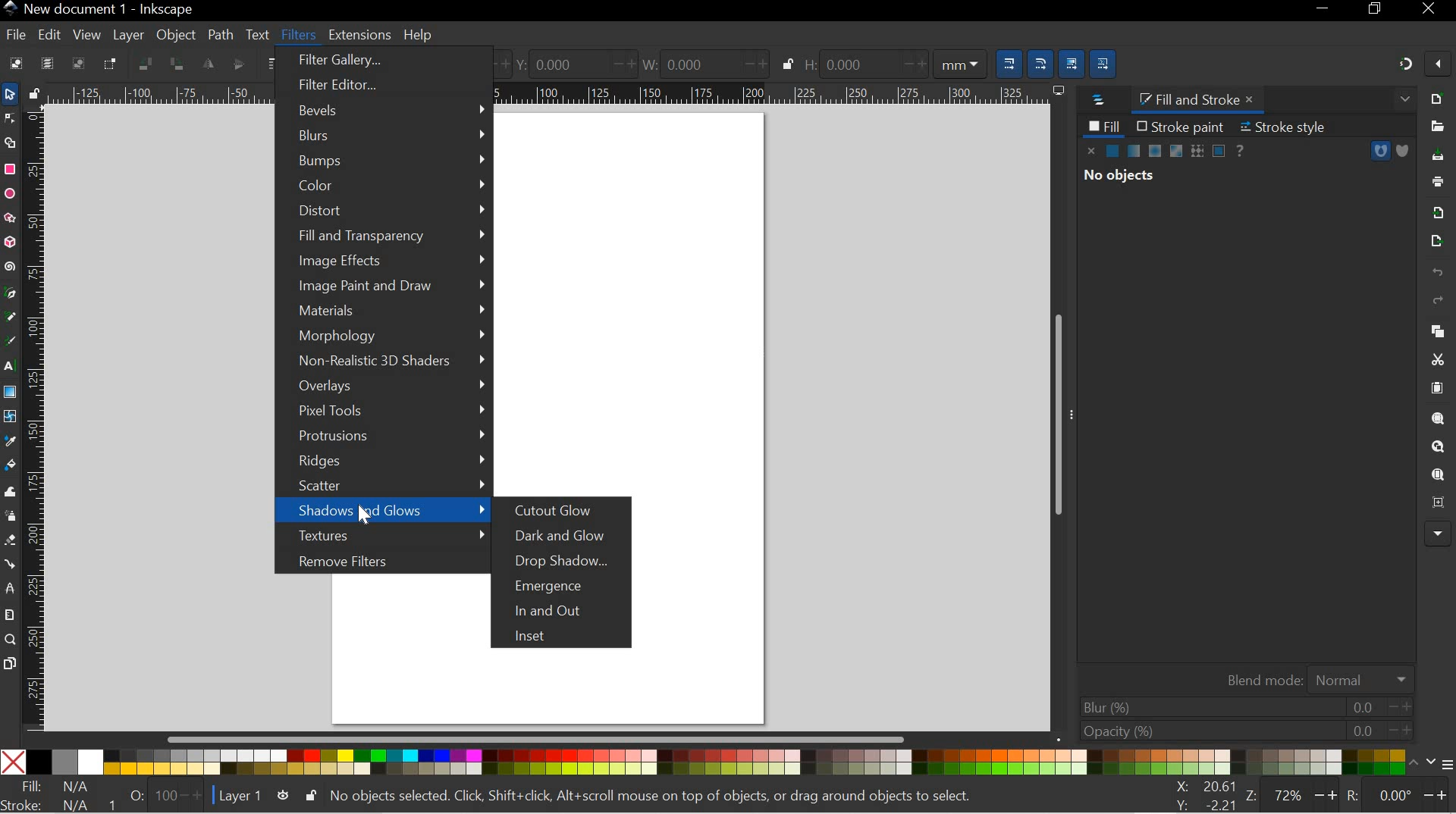 The image size is (1456, 814). Describe the element at coordinates (1377, 11) in the screenshot. I see `RESTORE DOWN` at that location.